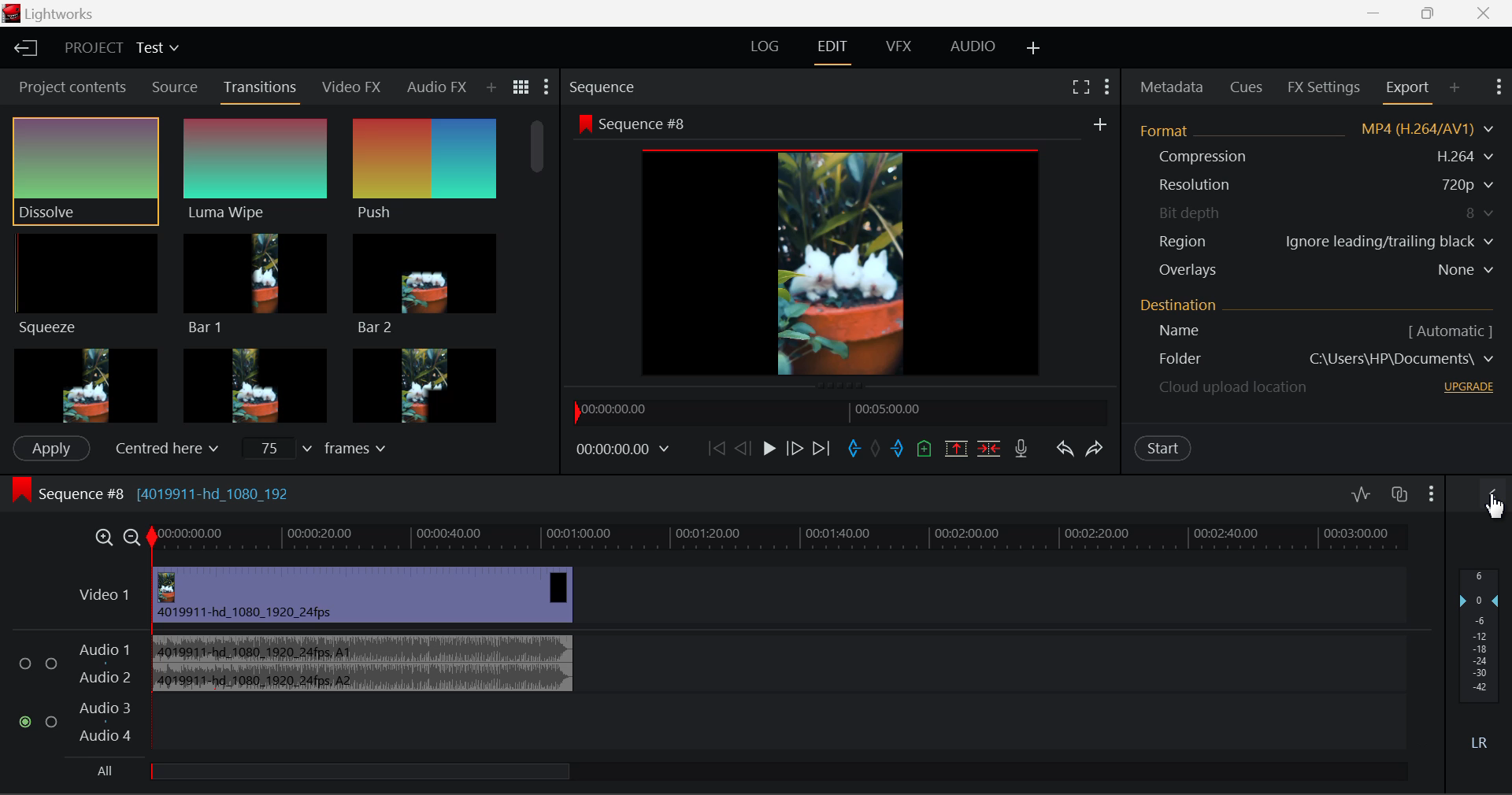 The width and height of the screenshot is (1512, 795). Describe the element at coordinates (1315, 213) in the screenshot. I see `Bit depth` at that location.